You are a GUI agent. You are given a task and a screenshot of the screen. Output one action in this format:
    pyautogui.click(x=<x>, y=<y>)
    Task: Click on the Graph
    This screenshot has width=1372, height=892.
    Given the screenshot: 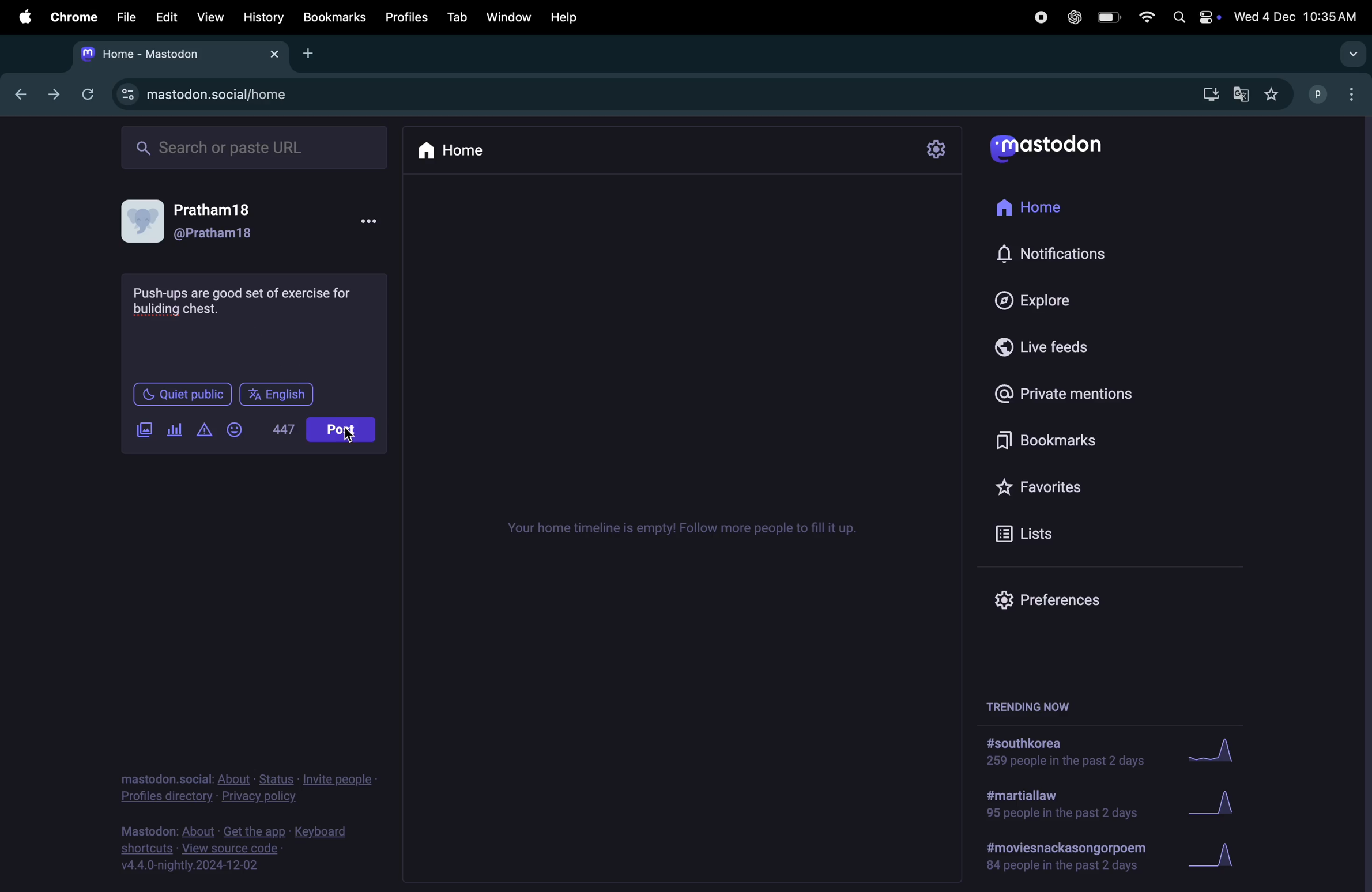 What is the action you would take?
    pyautogui.click(x=1222, y=804)
    